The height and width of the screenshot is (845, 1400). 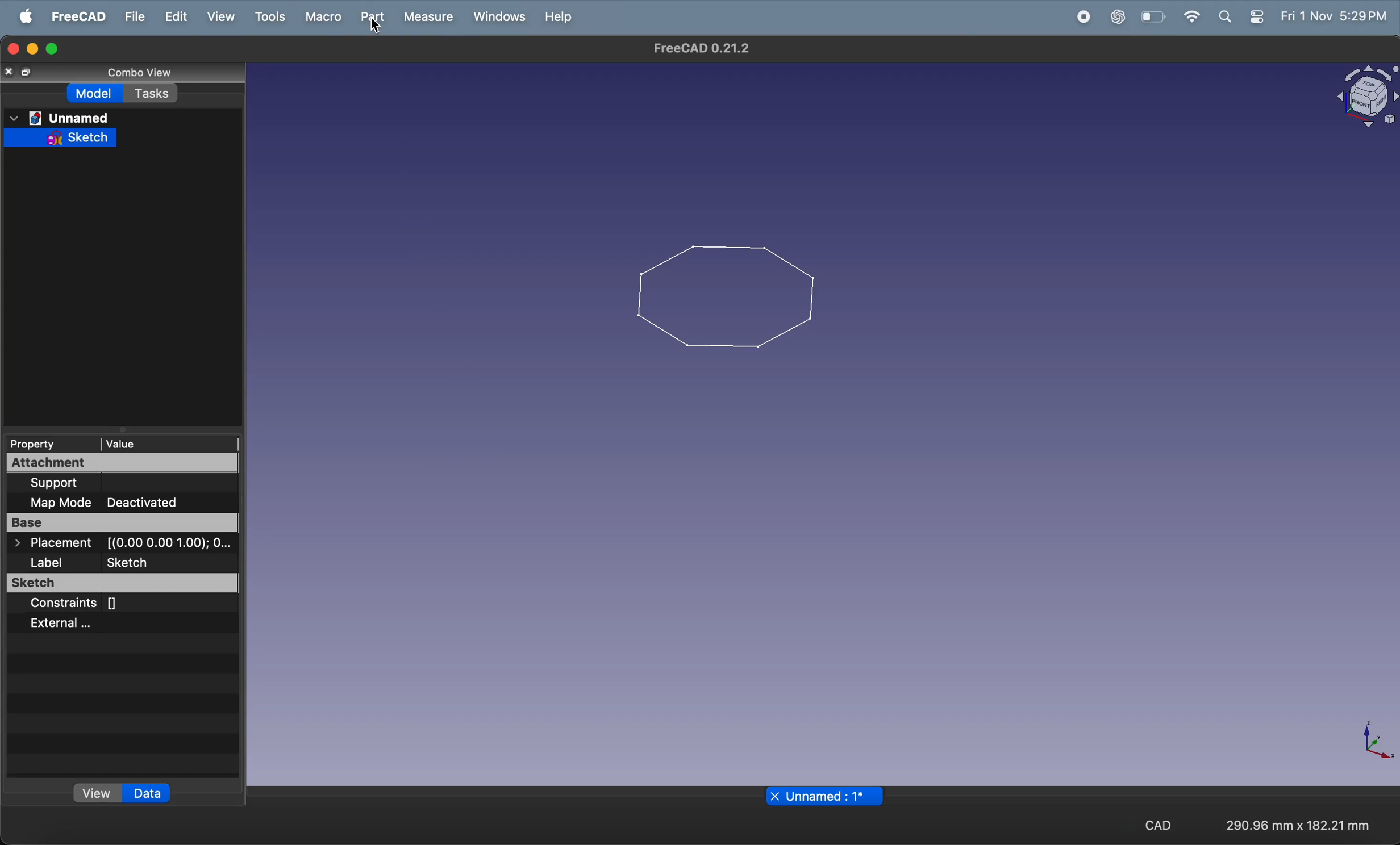 What do you see at coordinates (118, 583) in the screenshot?
I see `sketcg` at bounding box center [118, 583].